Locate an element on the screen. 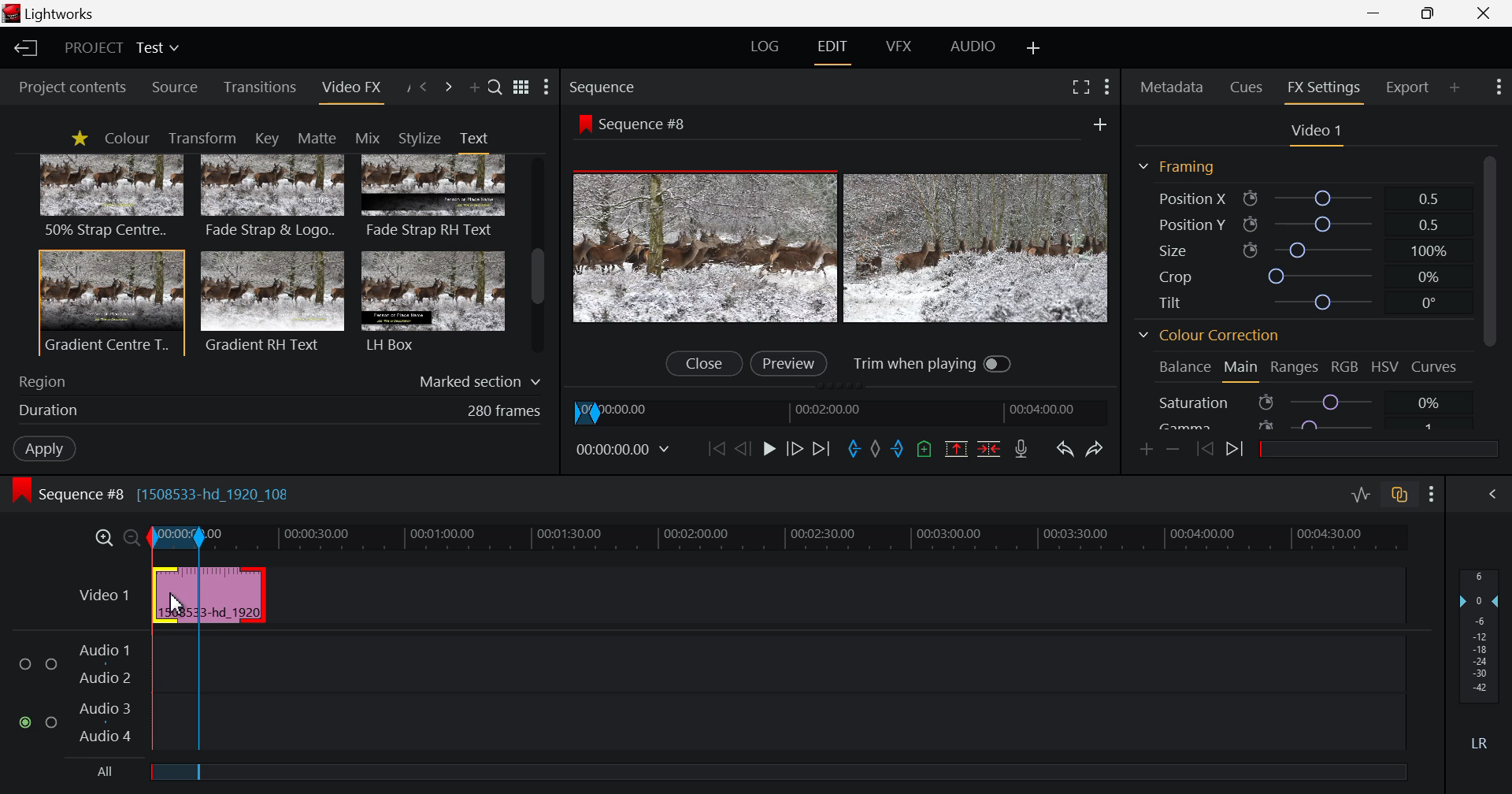 This screenshot has height=794, width=1512. Apply is located at coordinates (41, 447).